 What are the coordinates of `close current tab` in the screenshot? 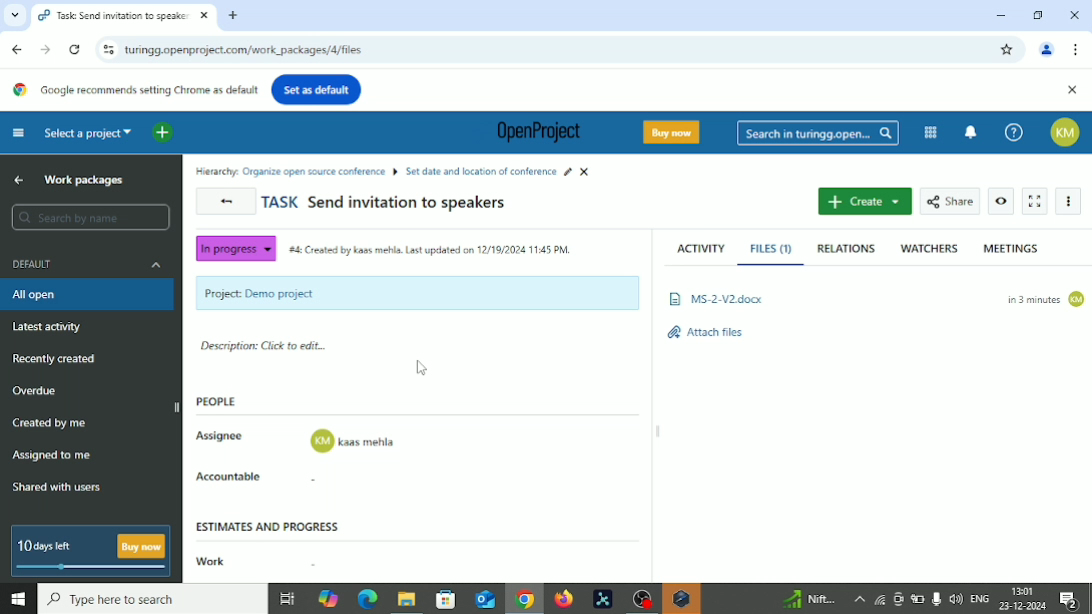 It's located at (203, 17).